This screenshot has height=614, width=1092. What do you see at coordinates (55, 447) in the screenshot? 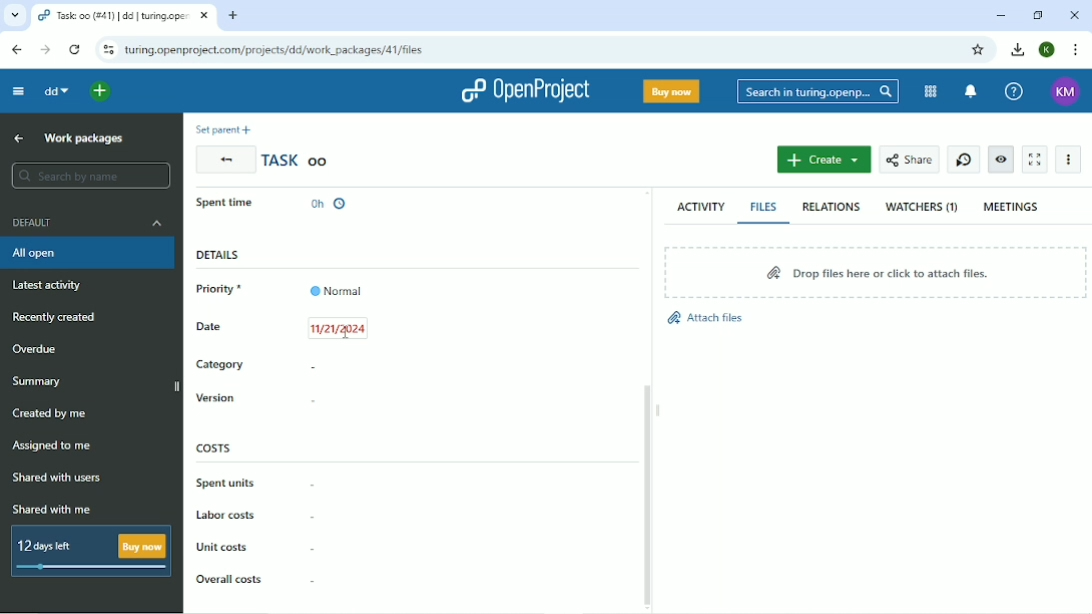
I see `Assigned to me` at bounding box center [55, 447].